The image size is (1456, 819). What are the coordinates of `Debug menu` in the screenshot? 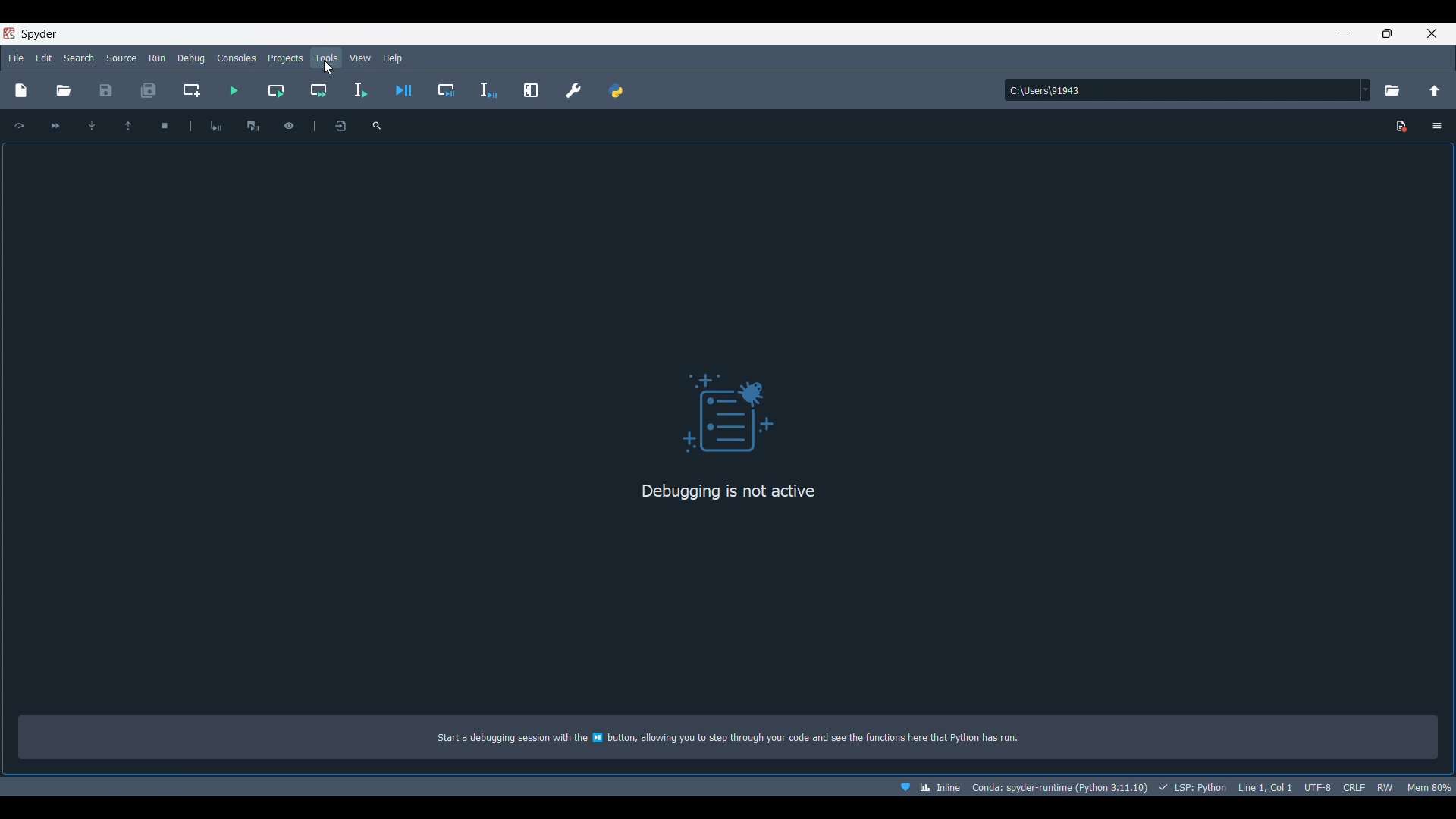 It's located at (191, 58).